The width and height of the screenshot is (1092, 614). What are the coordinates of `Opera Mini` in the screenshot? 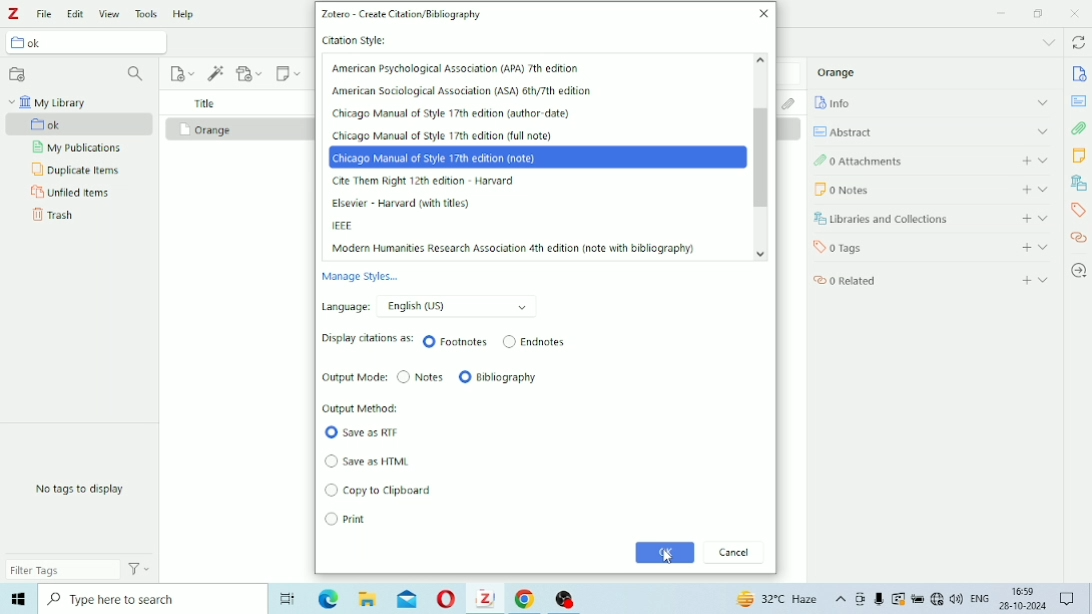 It's located at (447, 600).